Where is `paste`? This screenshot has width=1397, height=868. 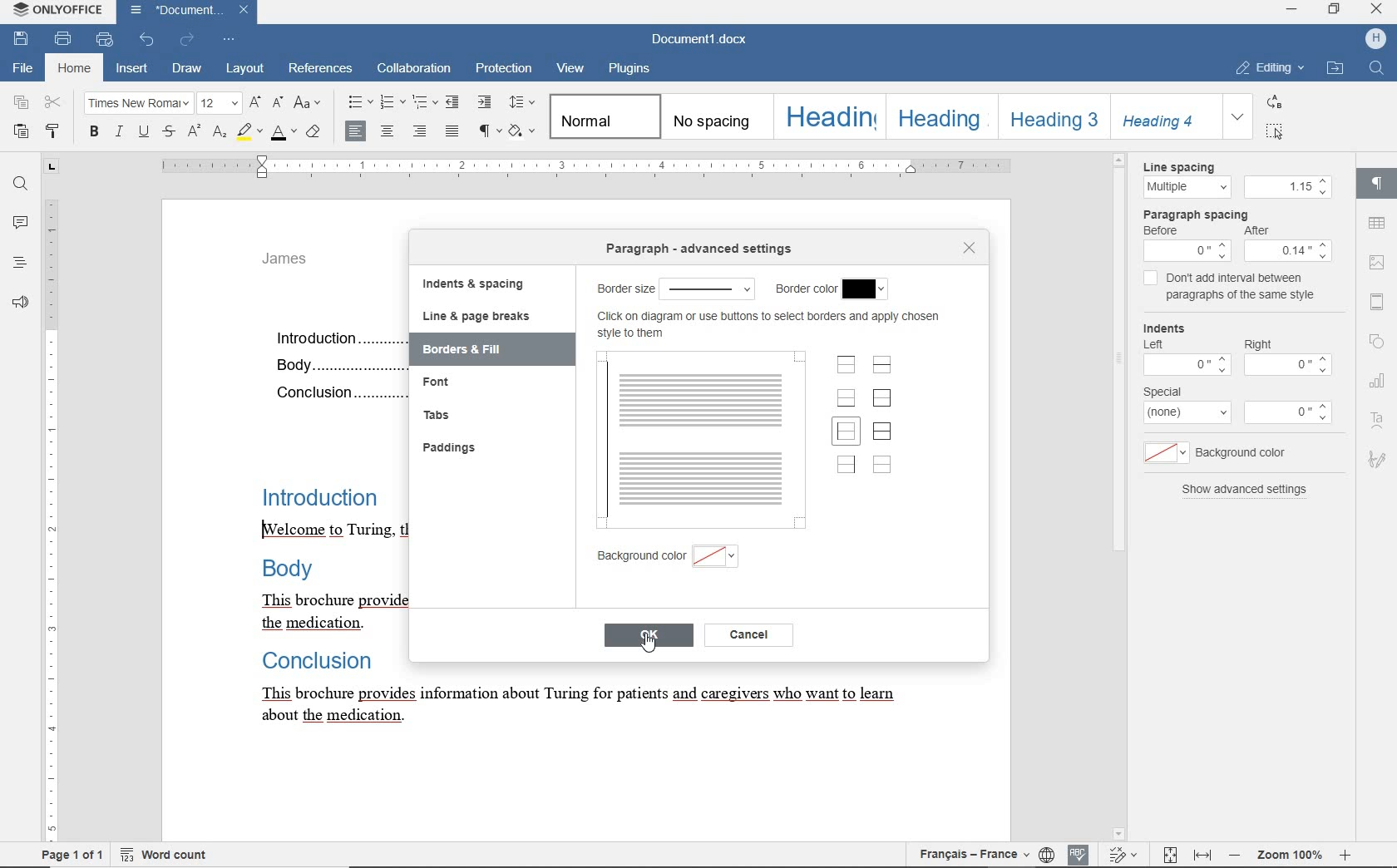 paste is located at coordinates (21, 133).